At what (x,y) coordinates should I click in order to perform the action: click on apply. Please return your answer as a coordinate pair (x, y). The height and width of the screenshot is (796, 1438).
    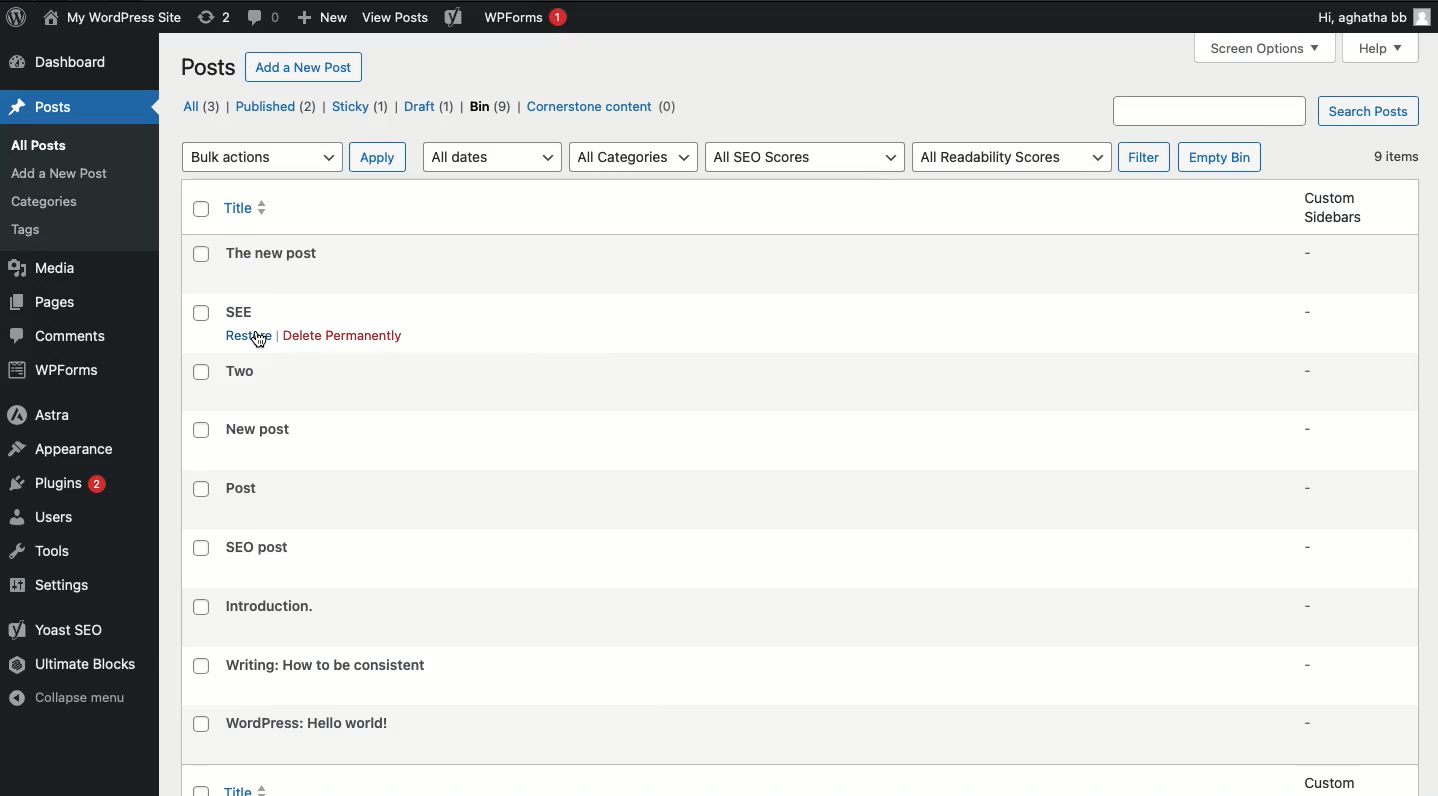
    Looking at the image, I should click on (378, 156).